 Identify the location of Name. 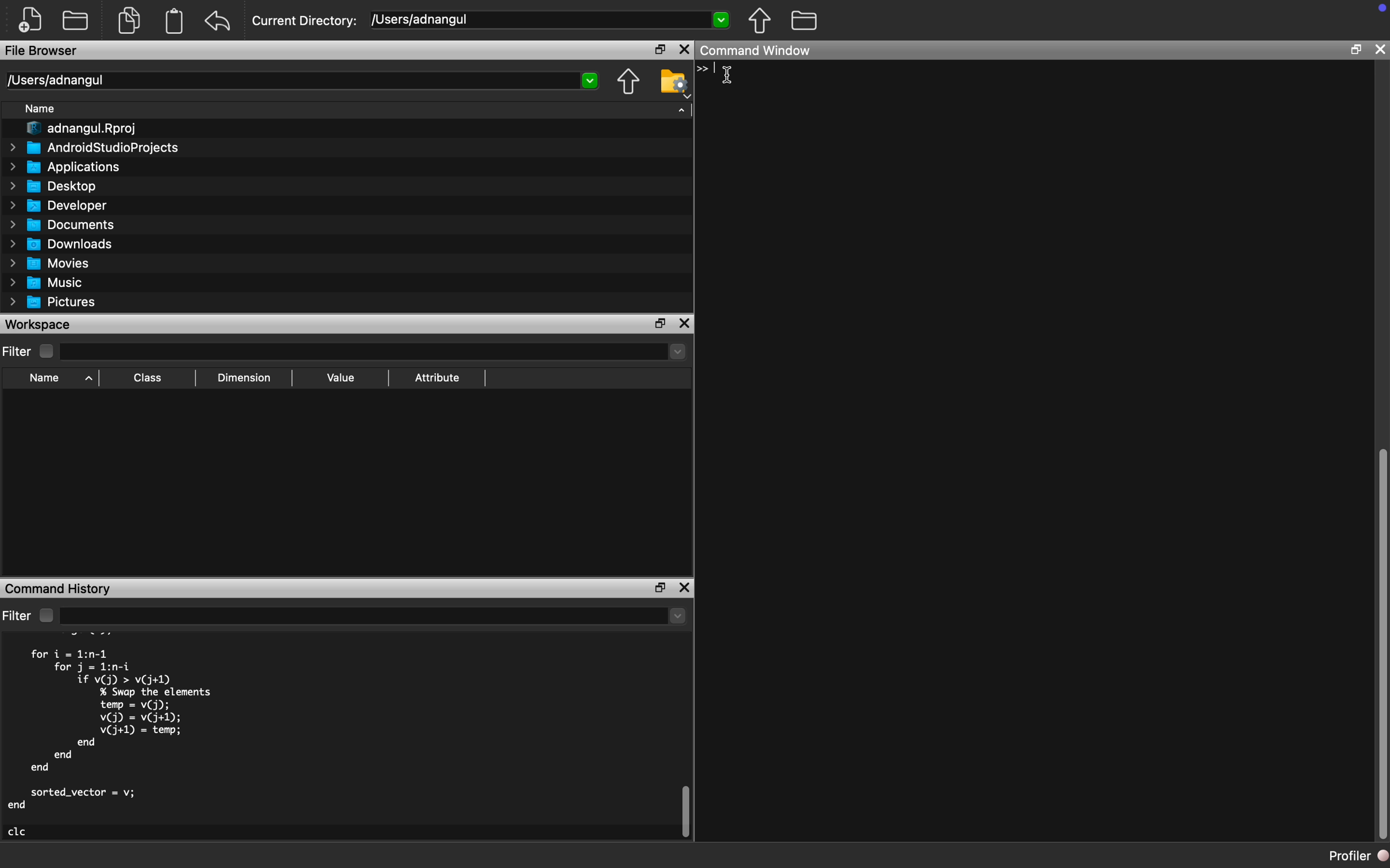
(45, 378).